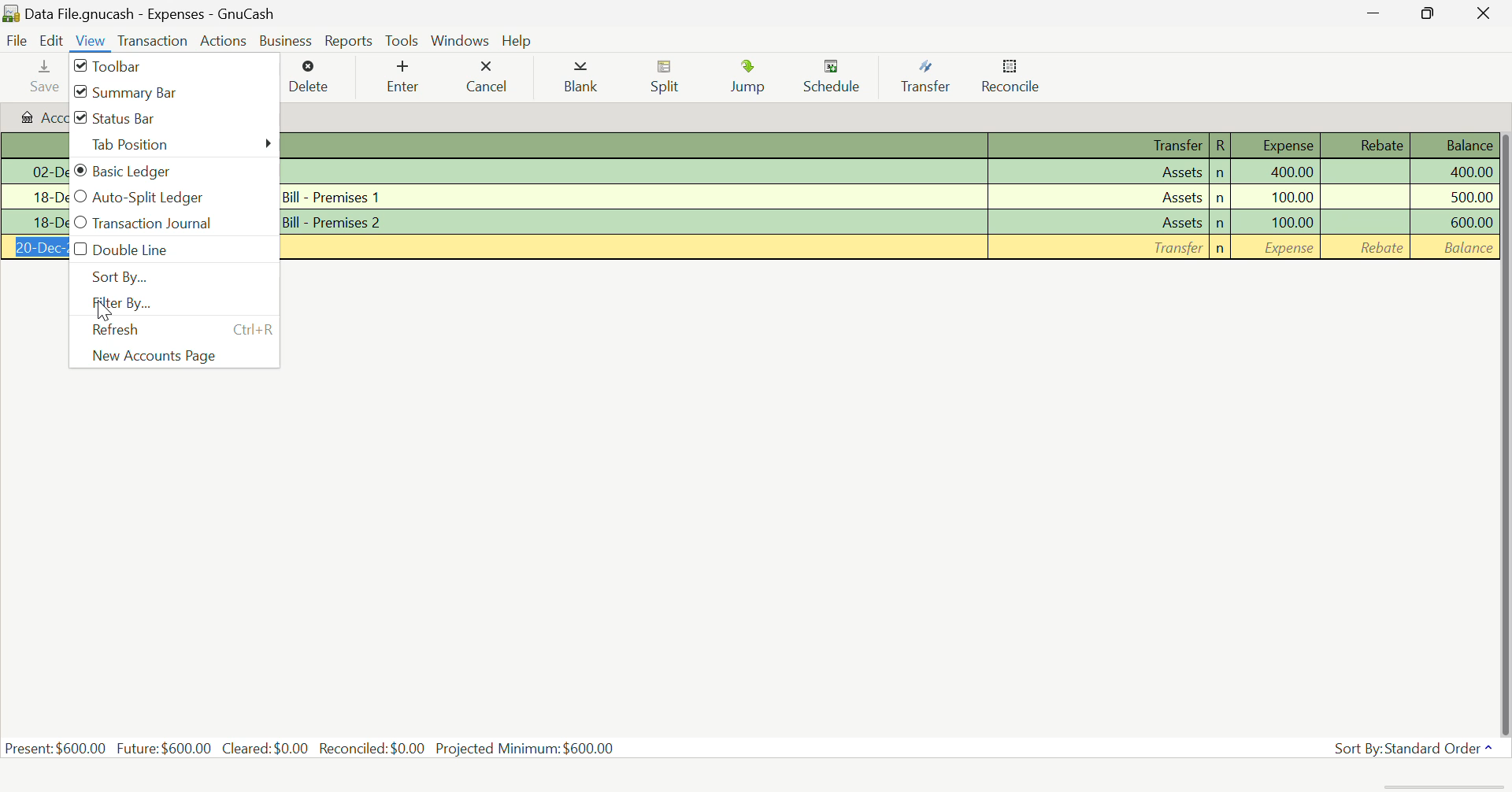 This screenshot has width=1512, height=792. Describe the element at coordinates (1219, 224) in the screenshot. I see `n` at that location.